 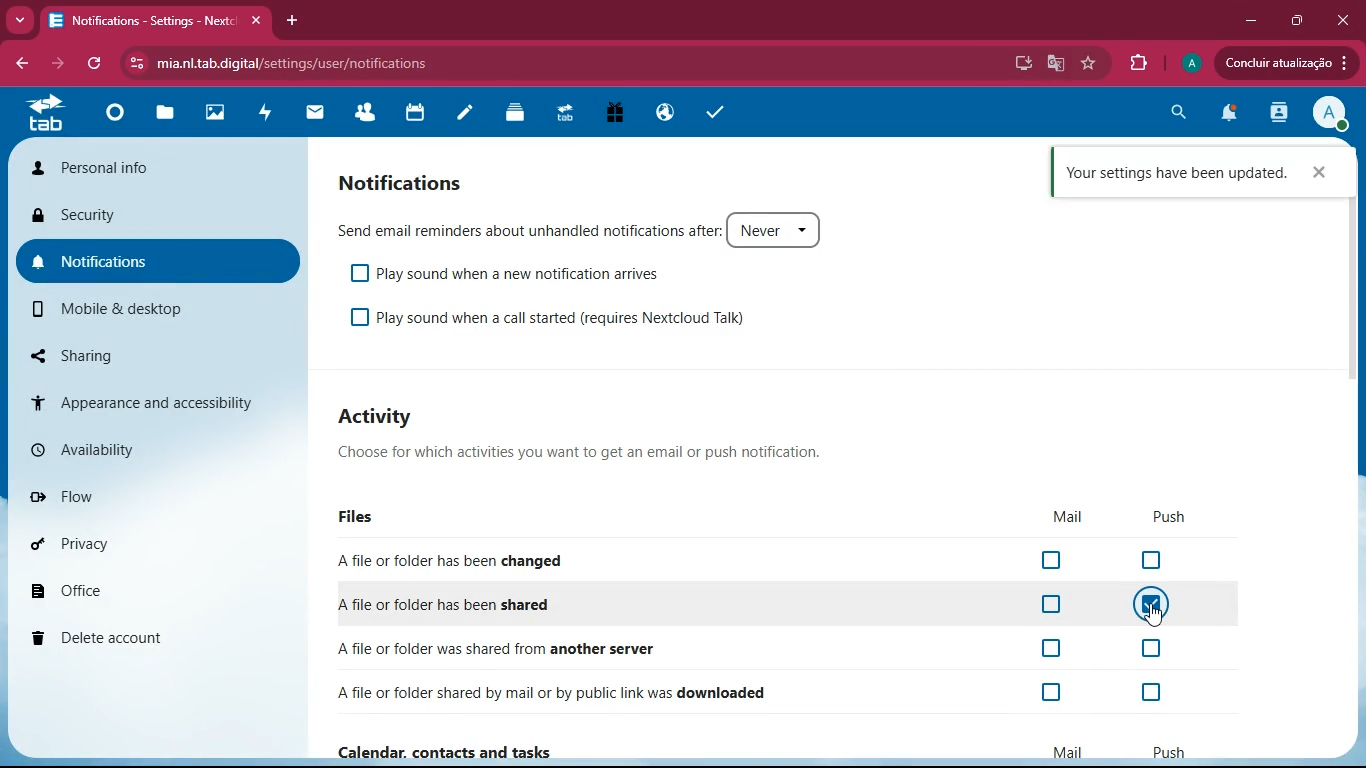 I want to click on calendar, so click(x=410, y=113).